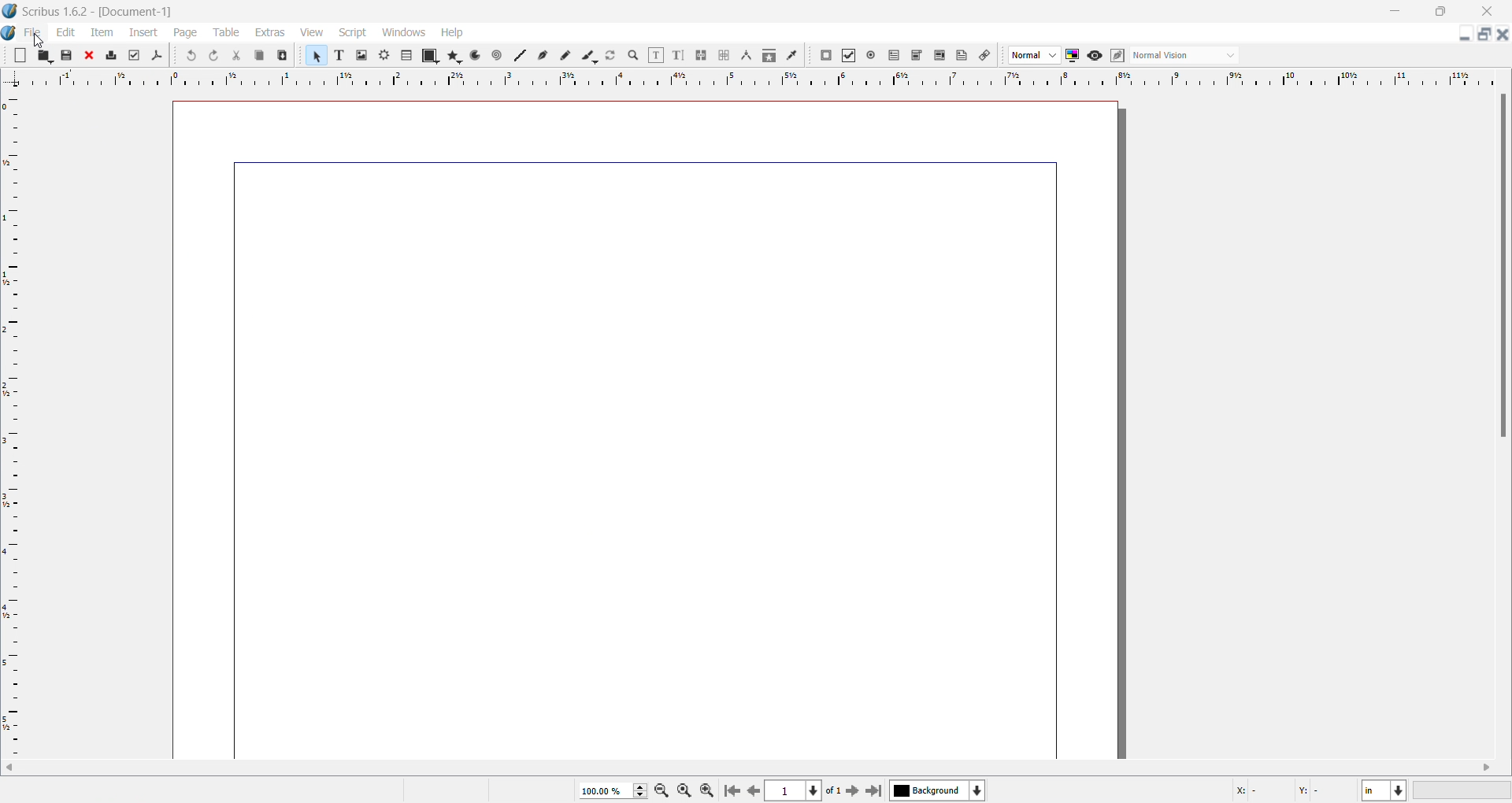 The image size is (1512, 803). What do you see at coordinates (218, 55) in the screenshot?
I see `icon` at bounding box center [218, 55].